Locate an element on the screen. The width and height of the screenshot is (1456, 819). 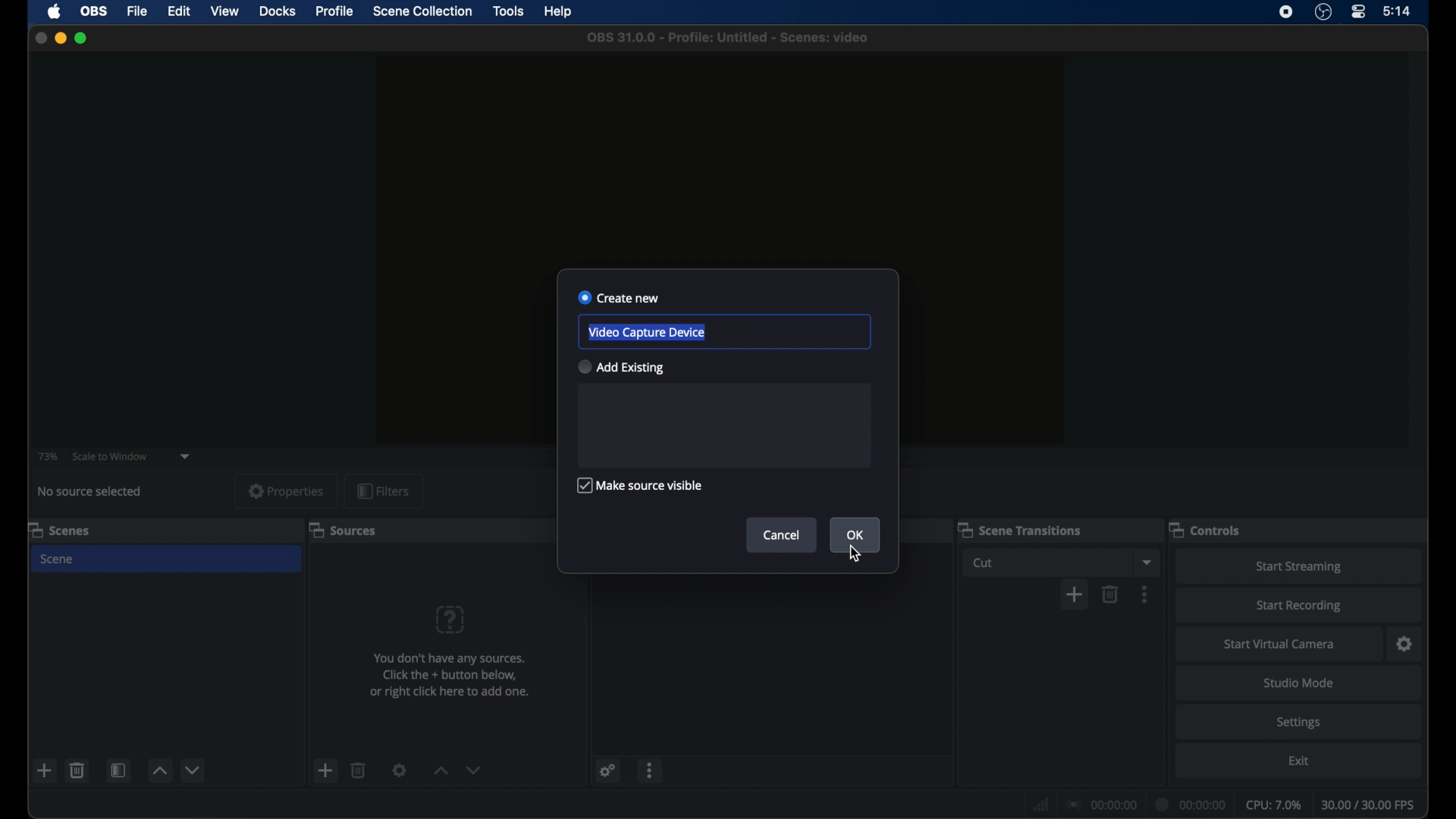
make source visible is located at coordinates (642, 485).